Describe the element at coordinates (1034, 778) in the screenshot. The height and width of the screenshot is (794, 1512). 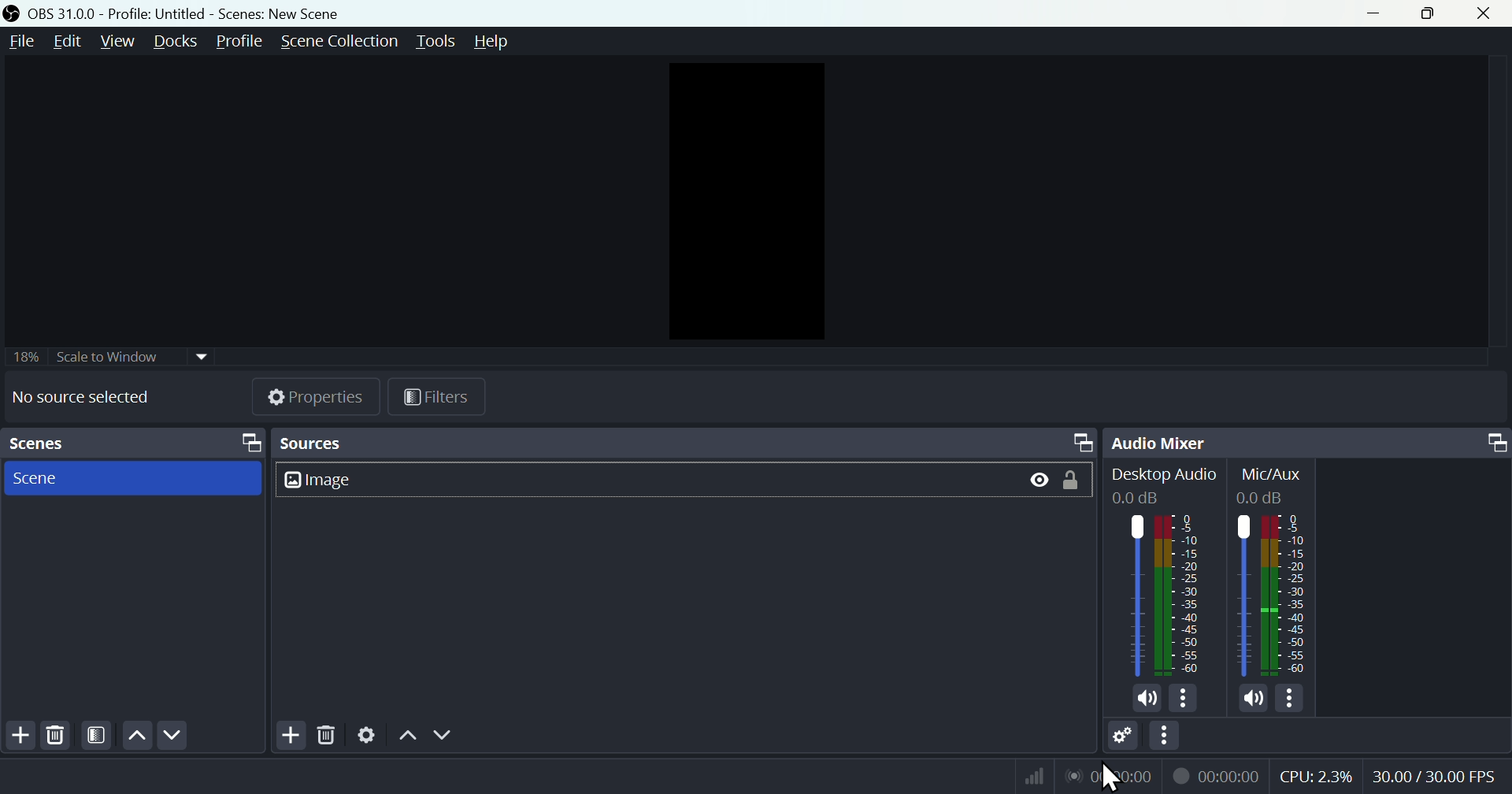
I see `network` at that location.